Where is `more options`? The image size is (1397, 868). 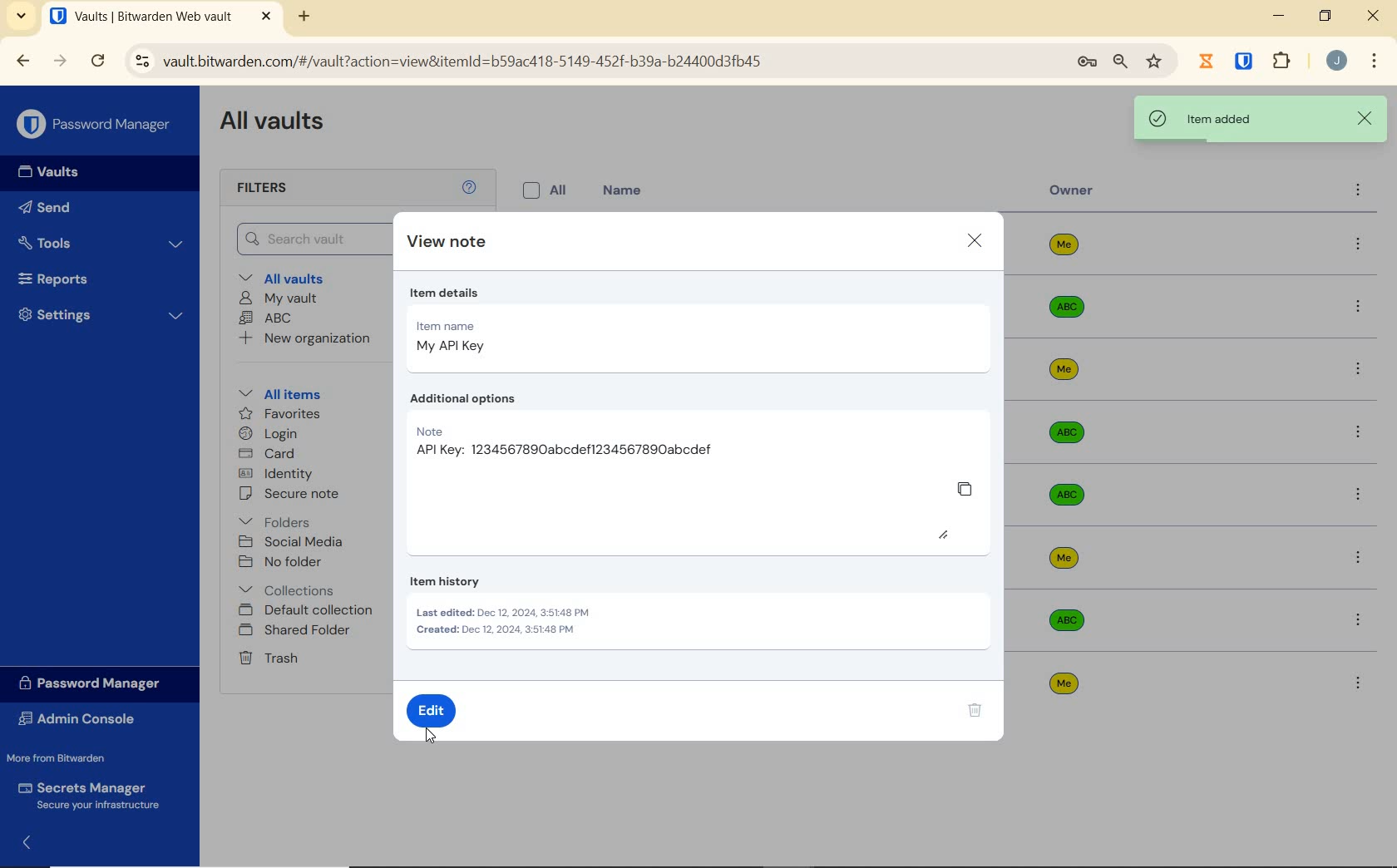 more options is located at coordinates (1360, 495).